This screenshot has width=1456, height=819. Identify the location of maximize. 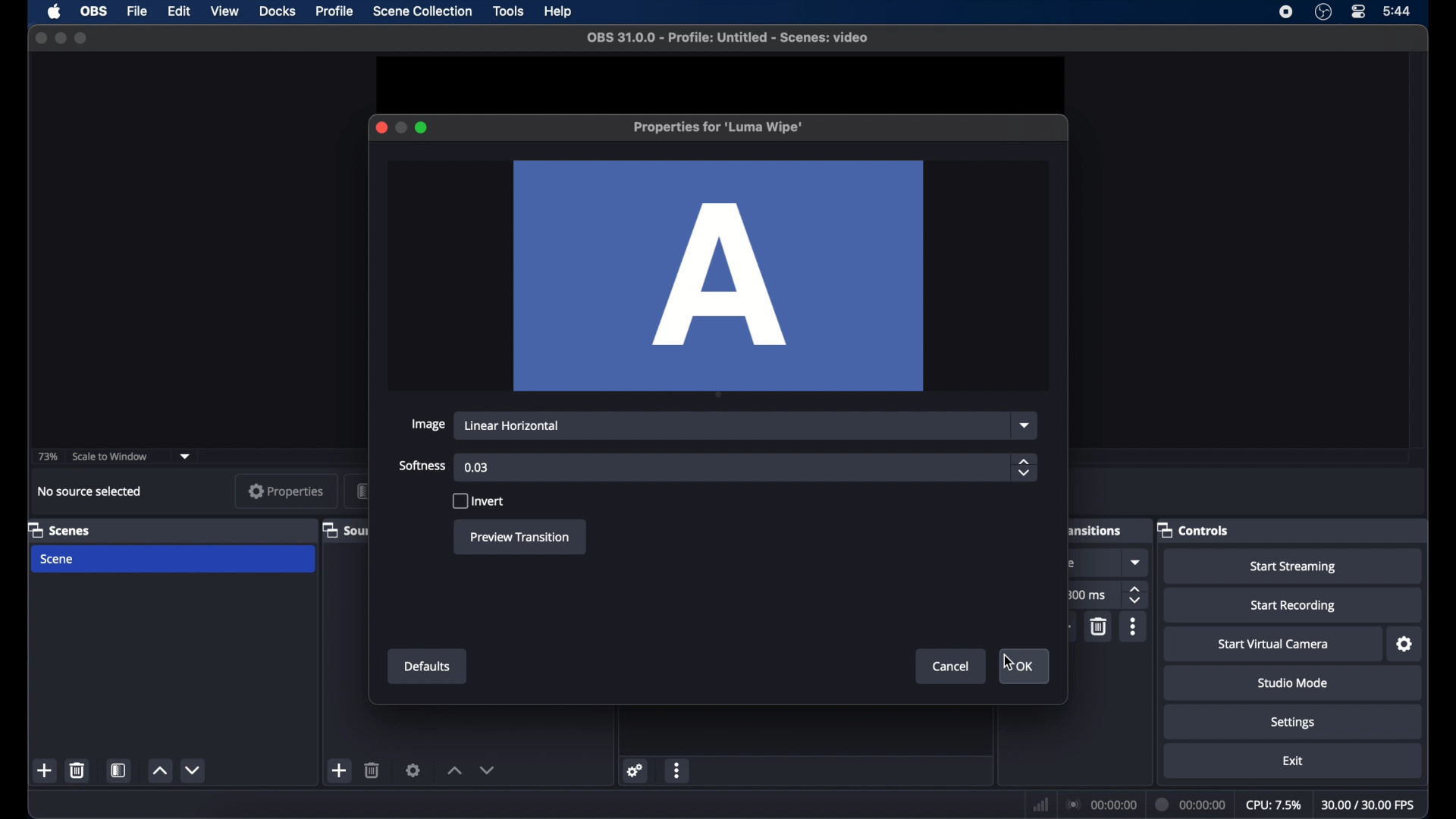
(423, 127).